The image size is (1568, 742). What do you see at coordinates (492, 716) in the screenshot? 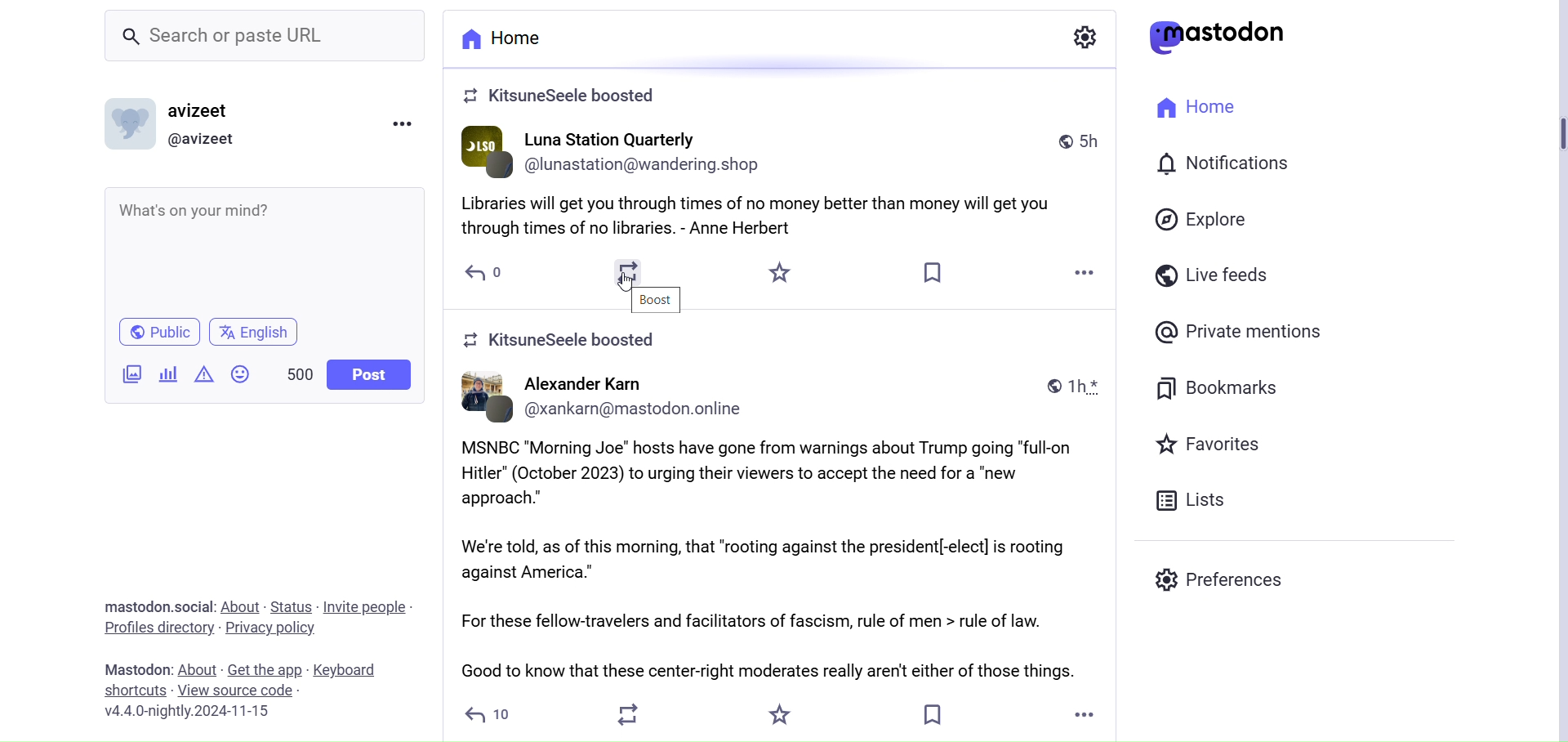
I see `Reply` at bounding box center [492, 716].